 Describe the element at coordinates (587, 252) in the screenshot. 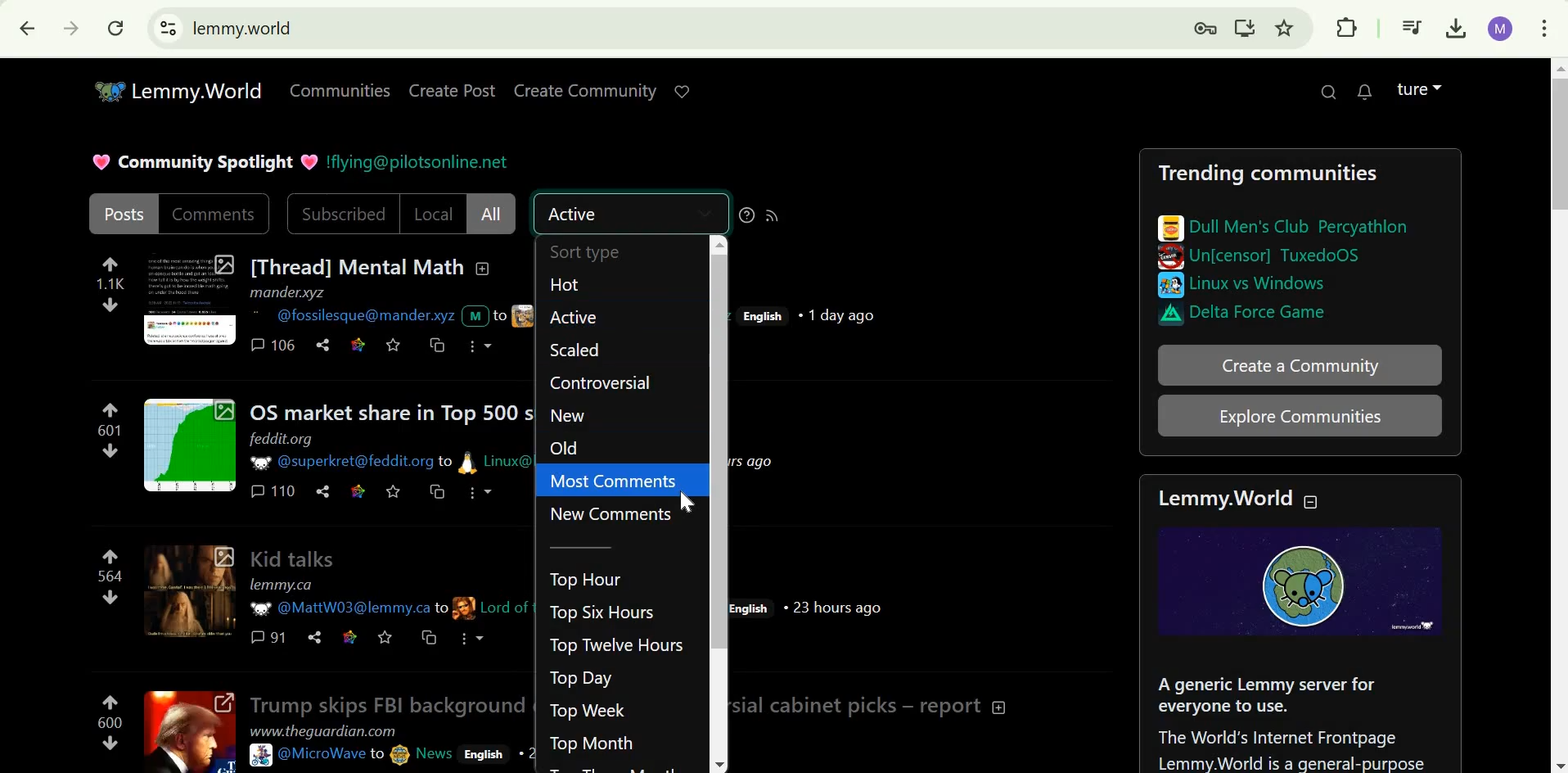

I see `Sort type` at that location.